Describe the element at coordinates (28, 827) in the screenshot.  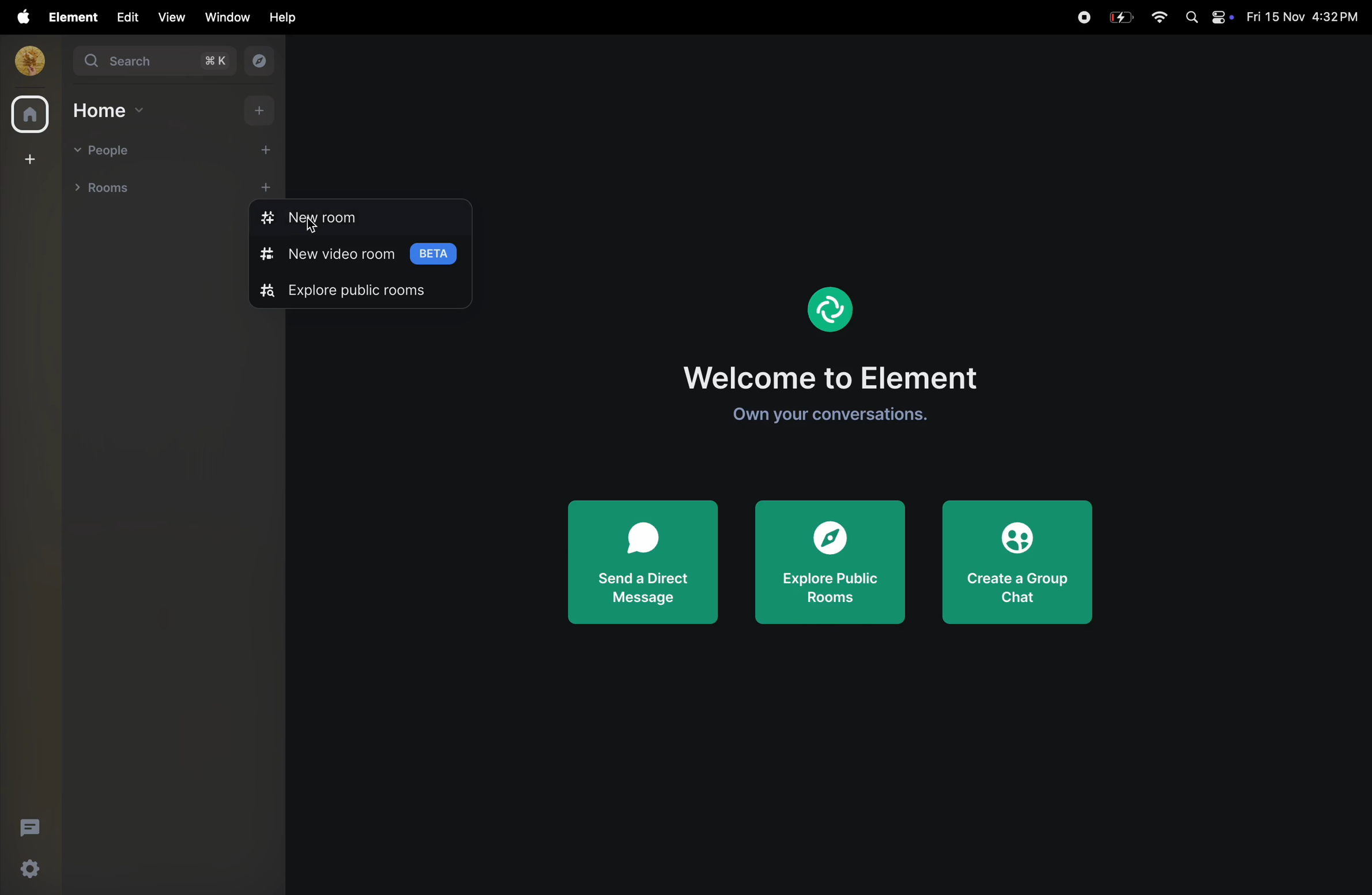
I see `threads` at that location.